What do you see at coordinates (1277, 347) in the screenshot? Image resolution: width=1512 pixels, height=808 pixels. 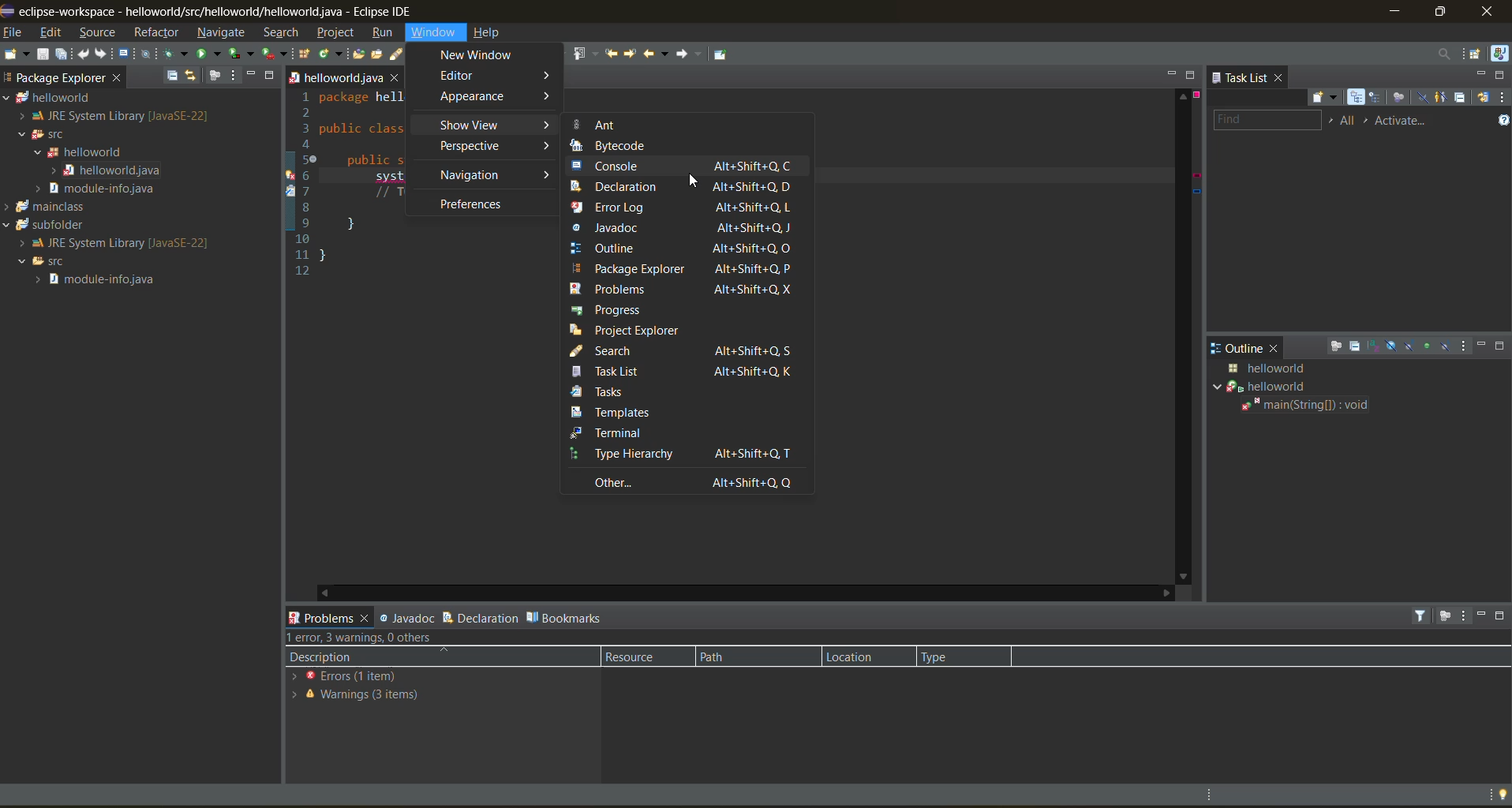 I see `close` at bounding box center [1277, 347].